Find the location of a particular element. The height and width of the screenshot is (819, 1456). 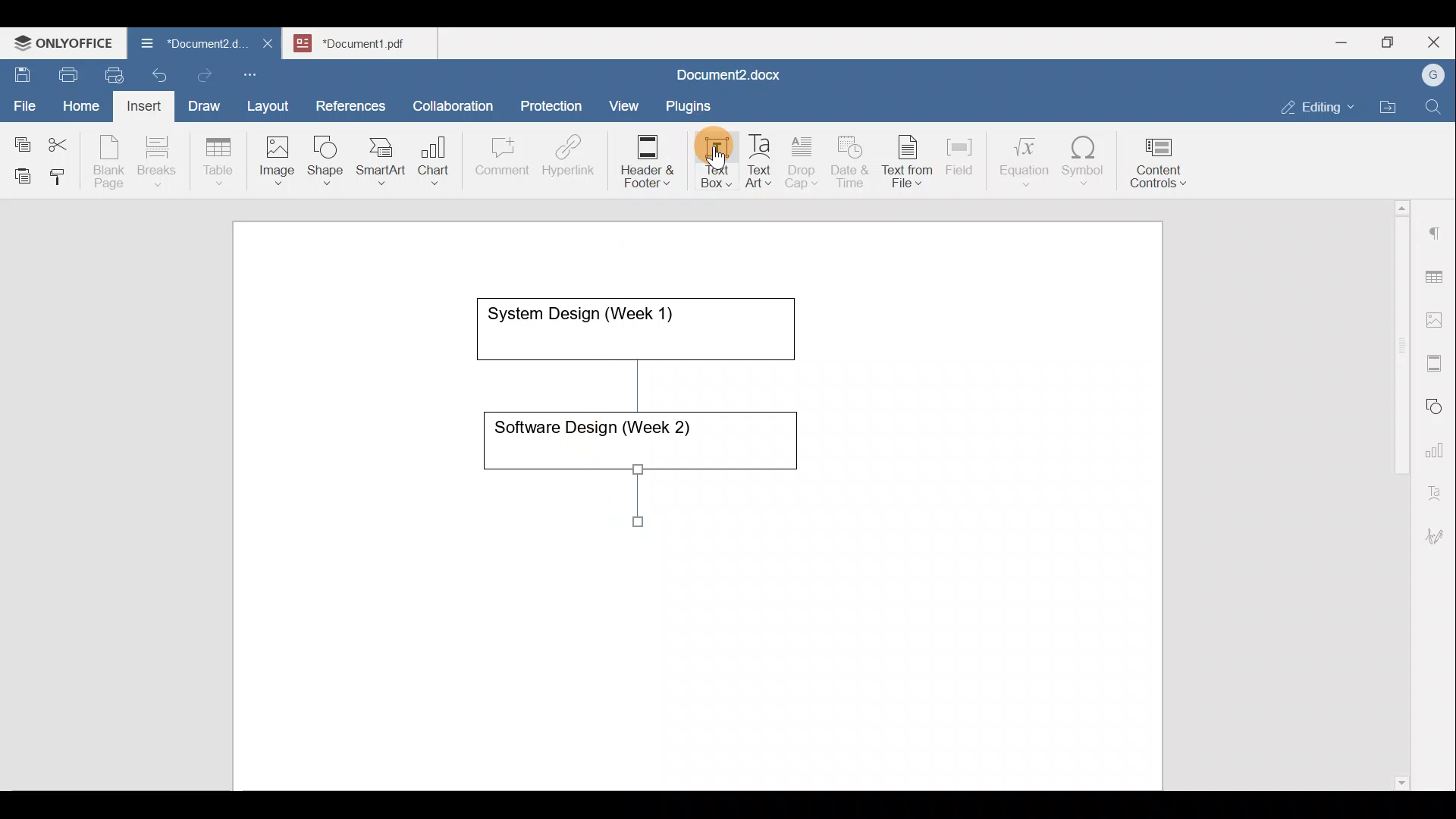

Paste is located at coordinates (19, 172).